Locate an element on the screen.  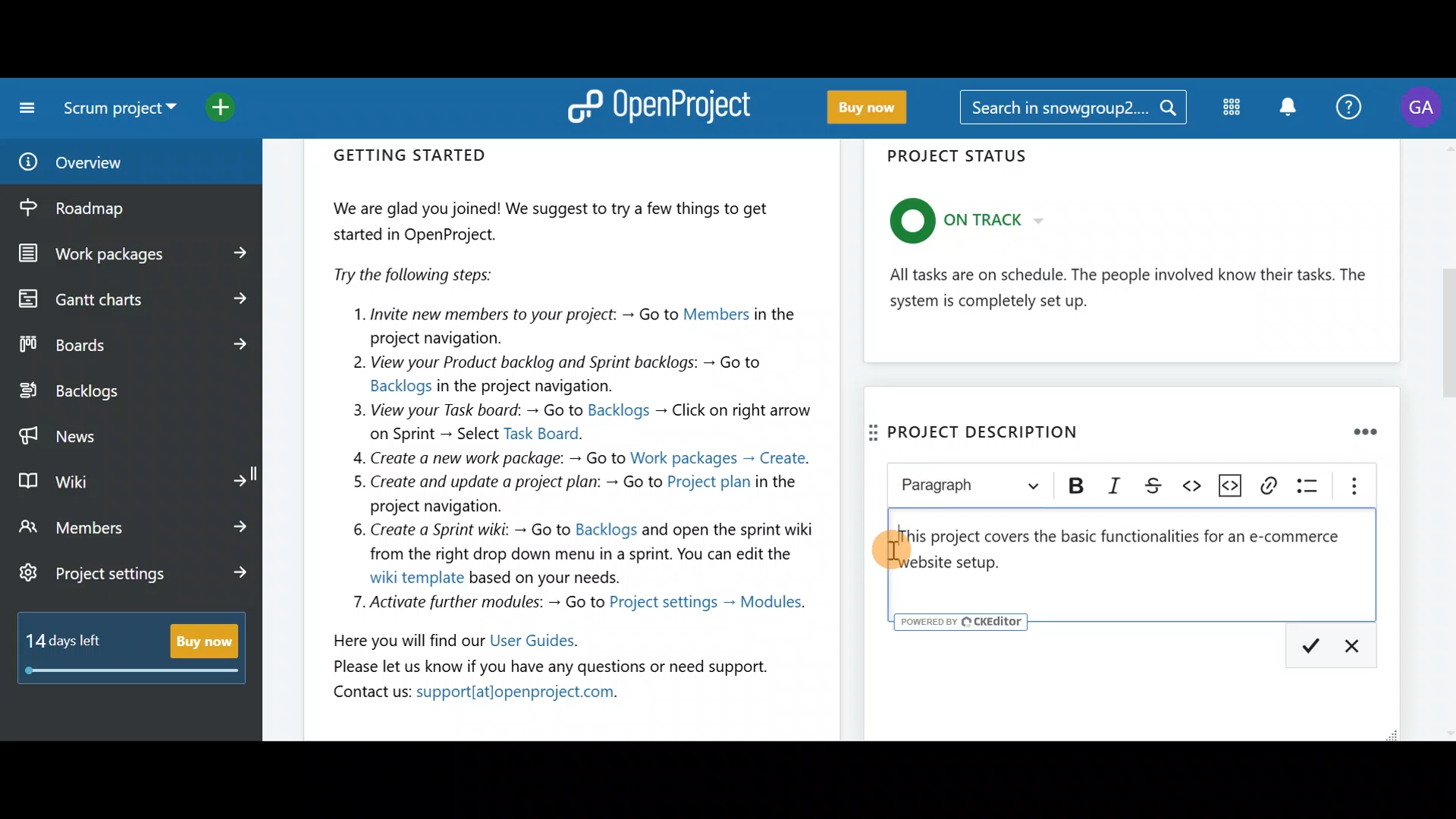
Boards is located at coordinates (131, 344).